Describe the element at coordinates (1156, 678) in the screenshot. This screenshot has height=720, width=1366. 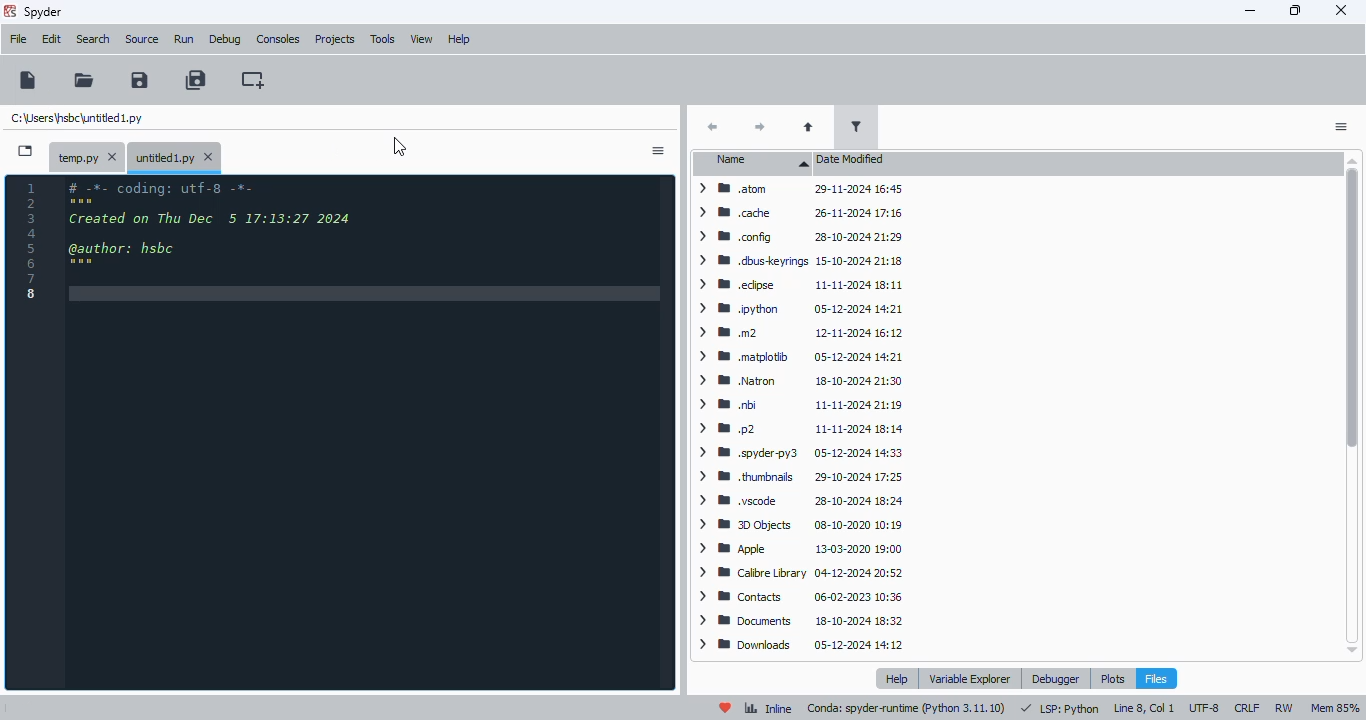
I see `files` at that location.